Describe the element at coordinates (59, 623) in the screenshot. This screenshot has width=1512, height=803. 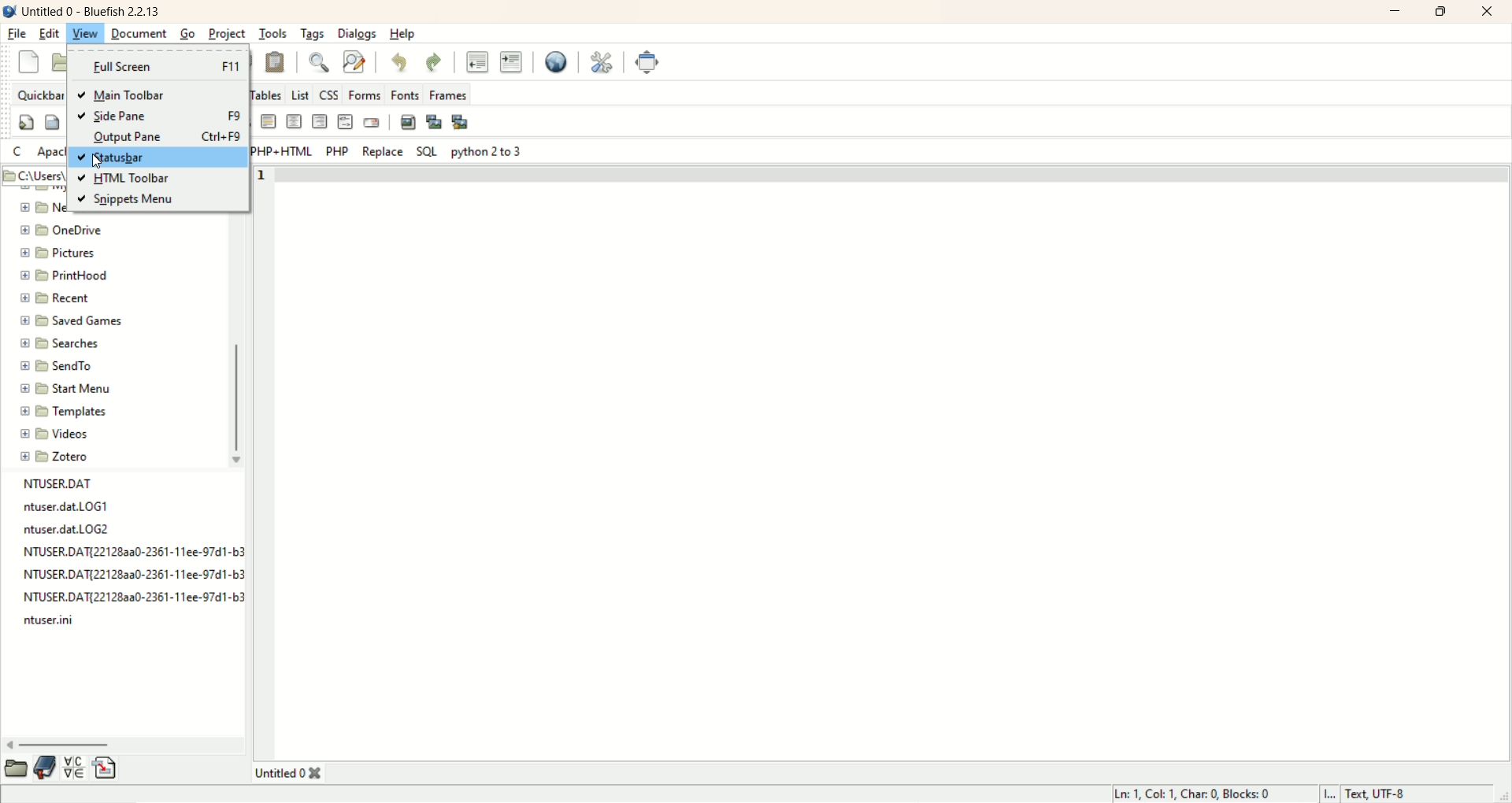
I see `file` at that location.